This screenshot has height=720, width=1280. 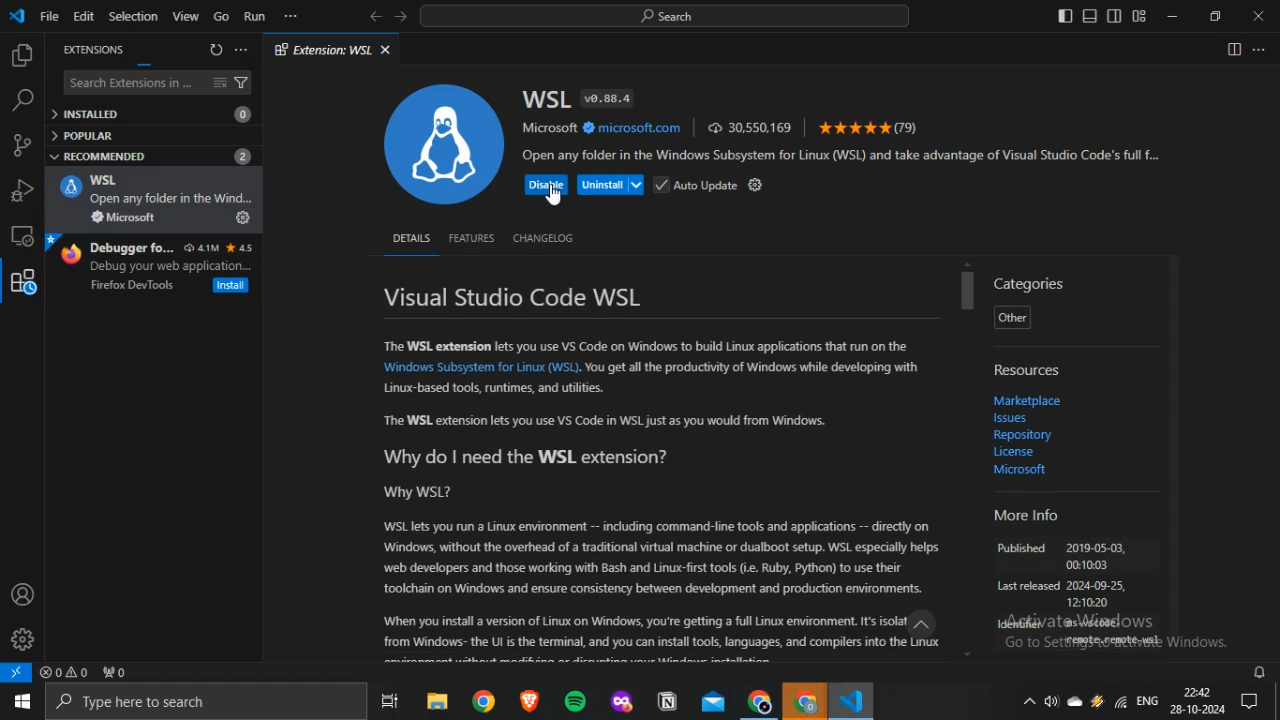 What do you see at coordinates (1027, 401) in the screenshot?
I see `‘Marketplace` at bounding box center [1027, 401].